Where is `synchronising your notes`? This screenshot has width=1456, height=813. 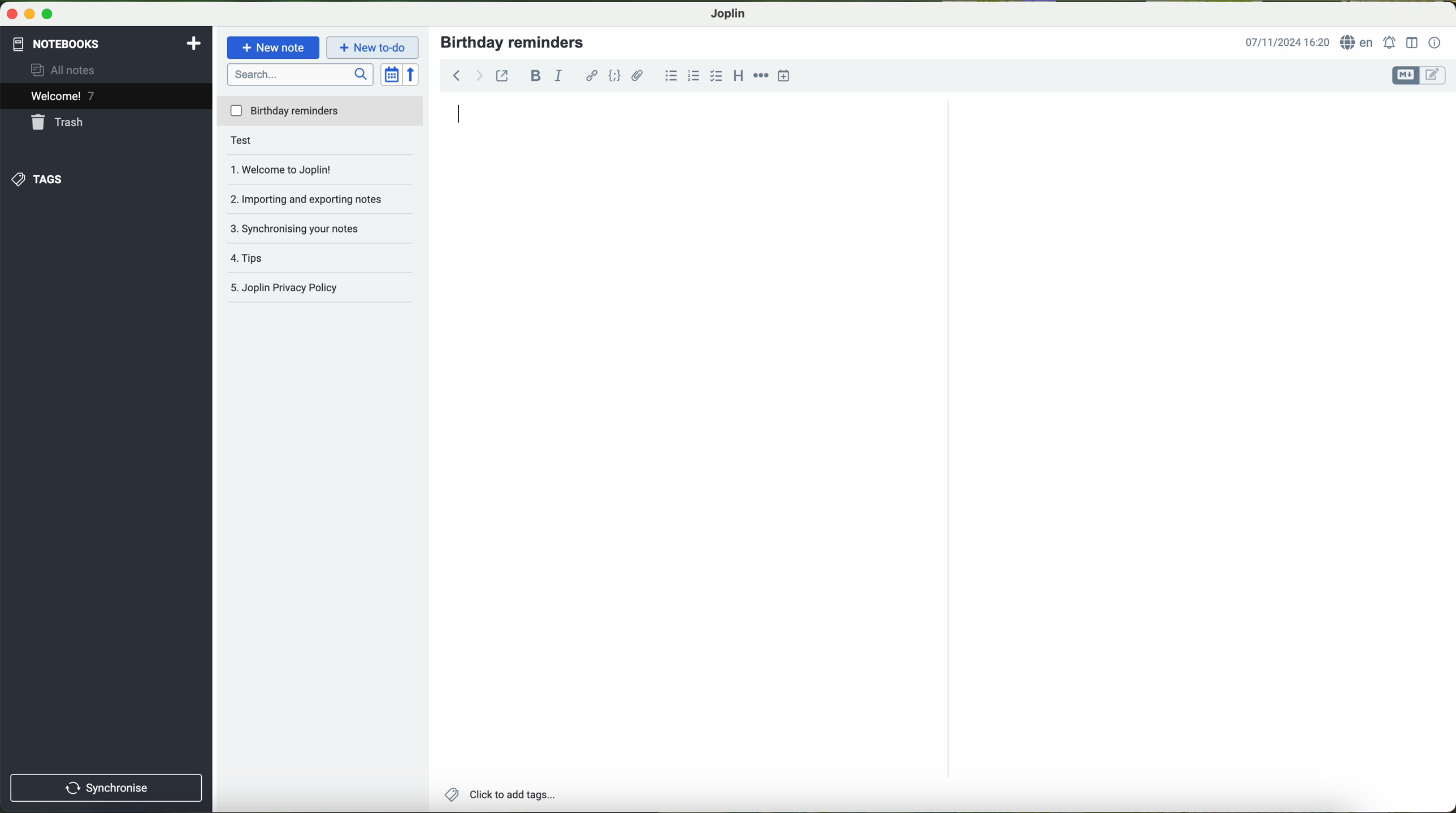 synchronising your notes is located at coordinates (304, 227).